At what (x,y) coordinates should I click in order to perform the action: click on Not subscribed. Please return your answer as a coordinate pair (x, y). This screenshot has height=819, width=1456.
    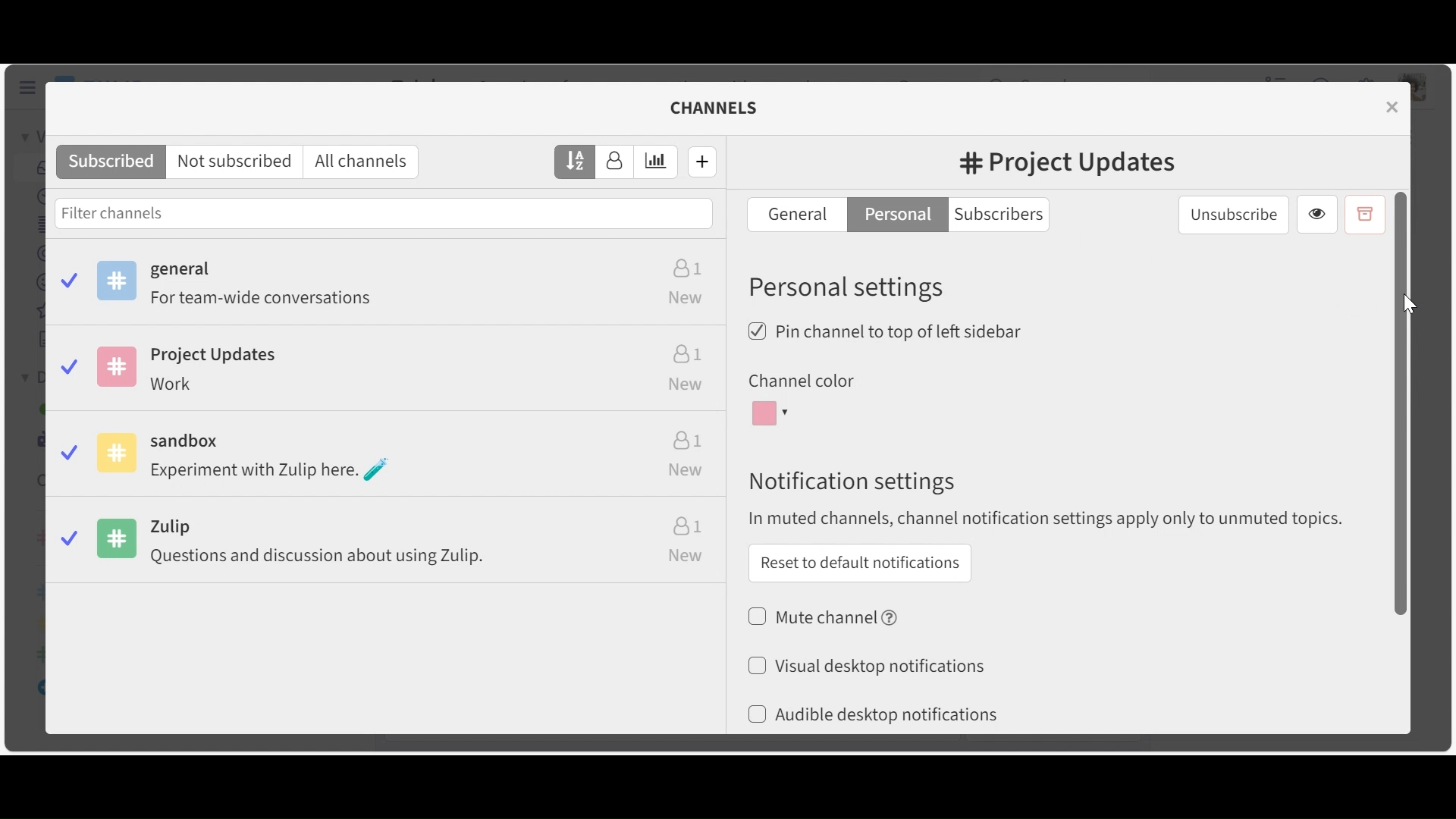
    Looking at the image, I should click on (237, 162).